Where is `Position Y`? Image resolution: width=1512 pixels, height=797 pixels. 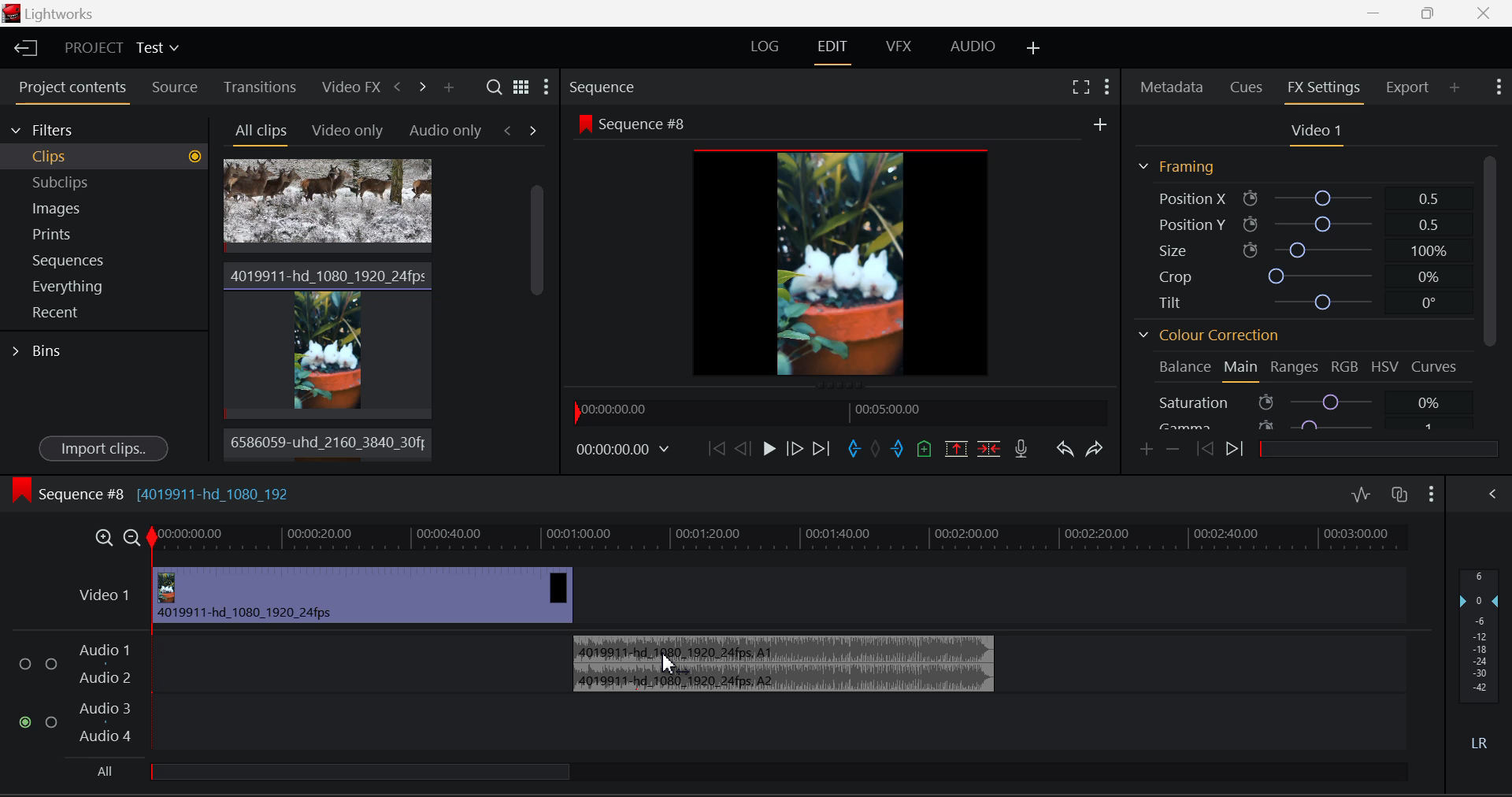
Position Y is located at coordinates (1310, 225).